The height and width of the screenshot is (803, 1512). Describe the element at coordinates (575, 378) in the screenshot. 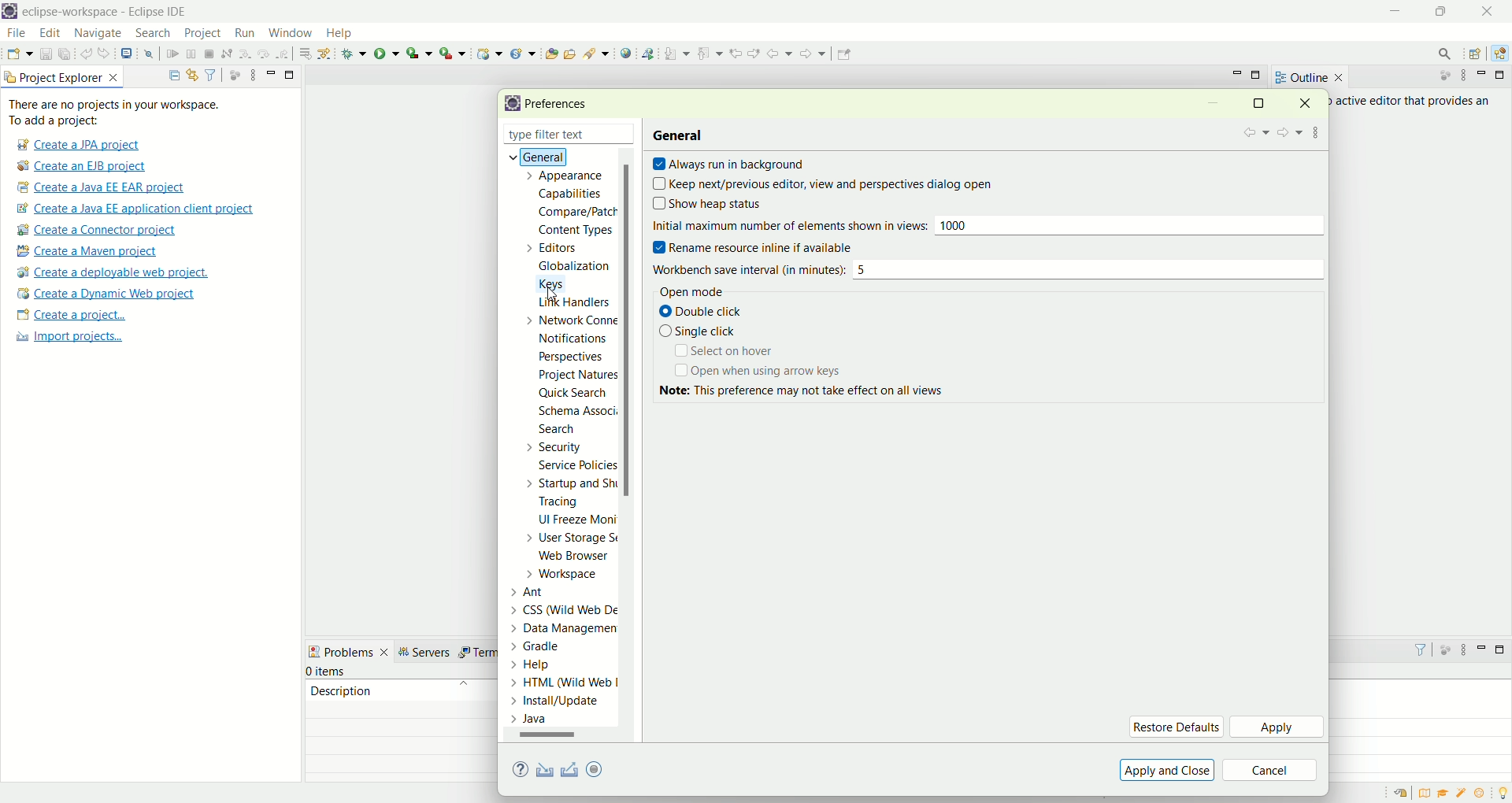

I see `project natures` at that location.